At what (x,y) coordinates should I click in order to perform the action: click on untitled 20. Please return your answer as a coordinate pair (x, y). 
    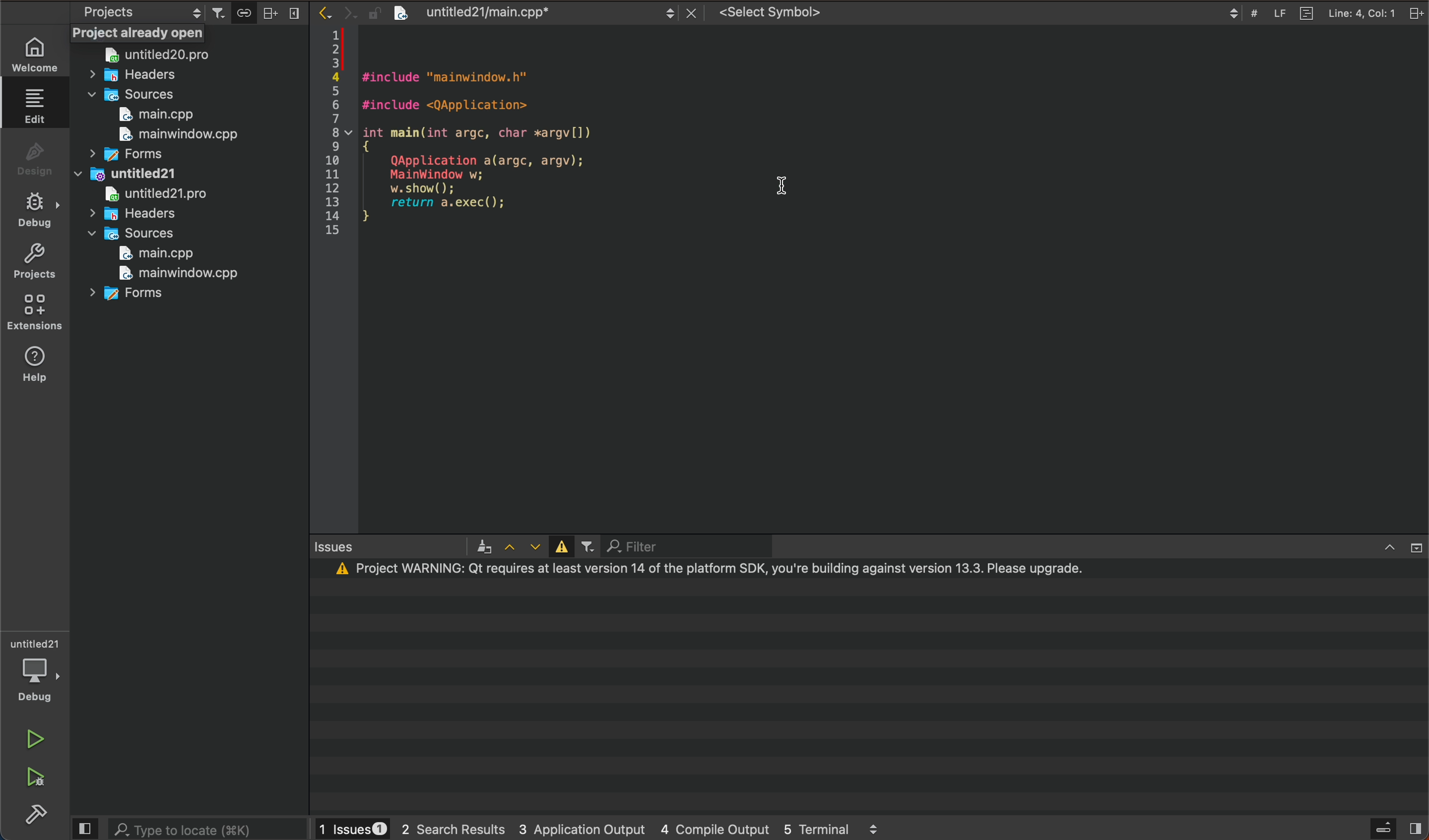
    Looking at the image, I should click on (166, 56).